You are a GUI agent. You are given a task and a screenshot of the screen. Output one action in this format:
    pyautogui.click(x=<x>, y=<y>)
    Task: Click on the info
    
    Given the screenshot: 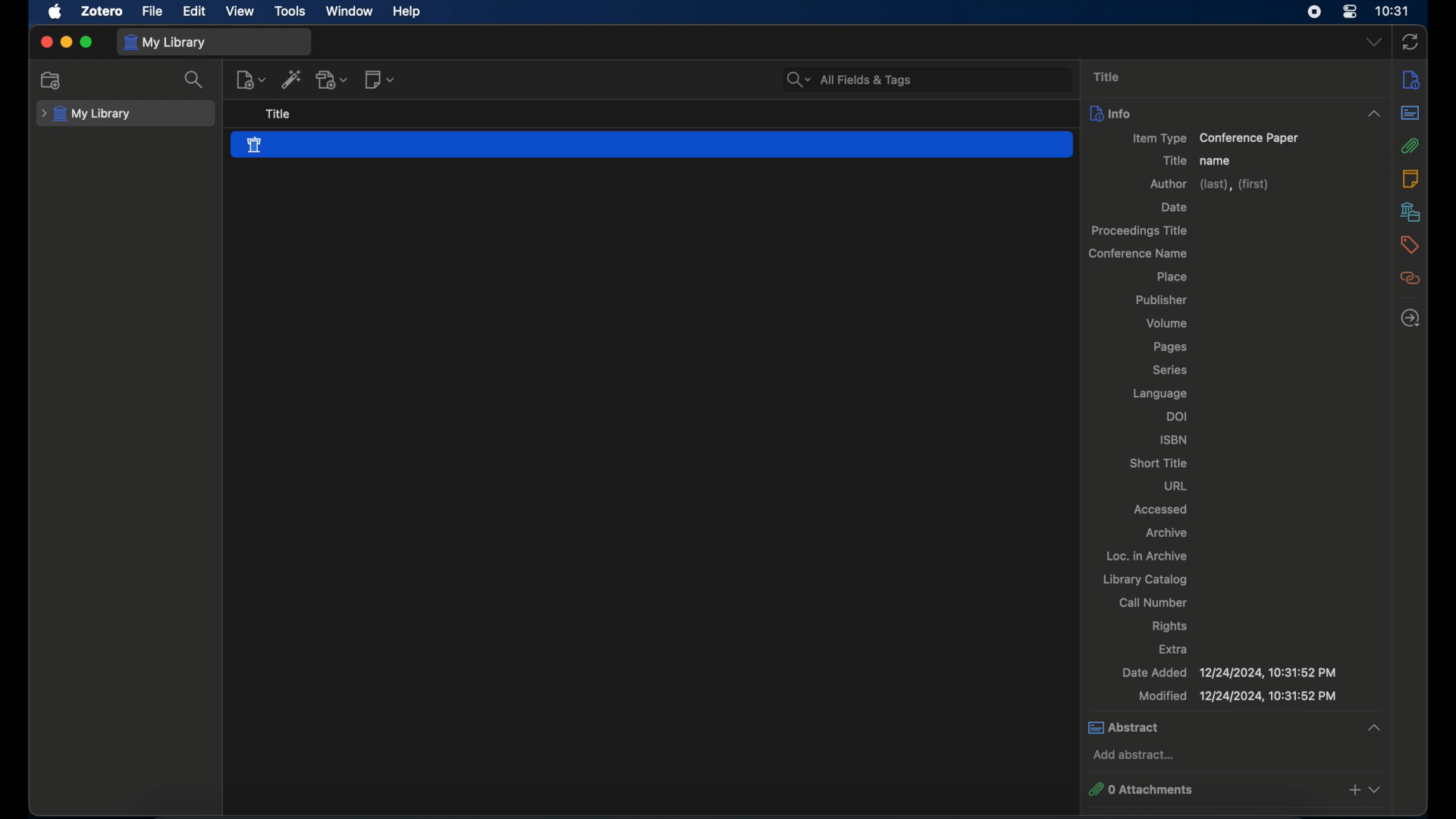 What is the action you would take?
    pyautogui.click(x=1411, y=79)
    